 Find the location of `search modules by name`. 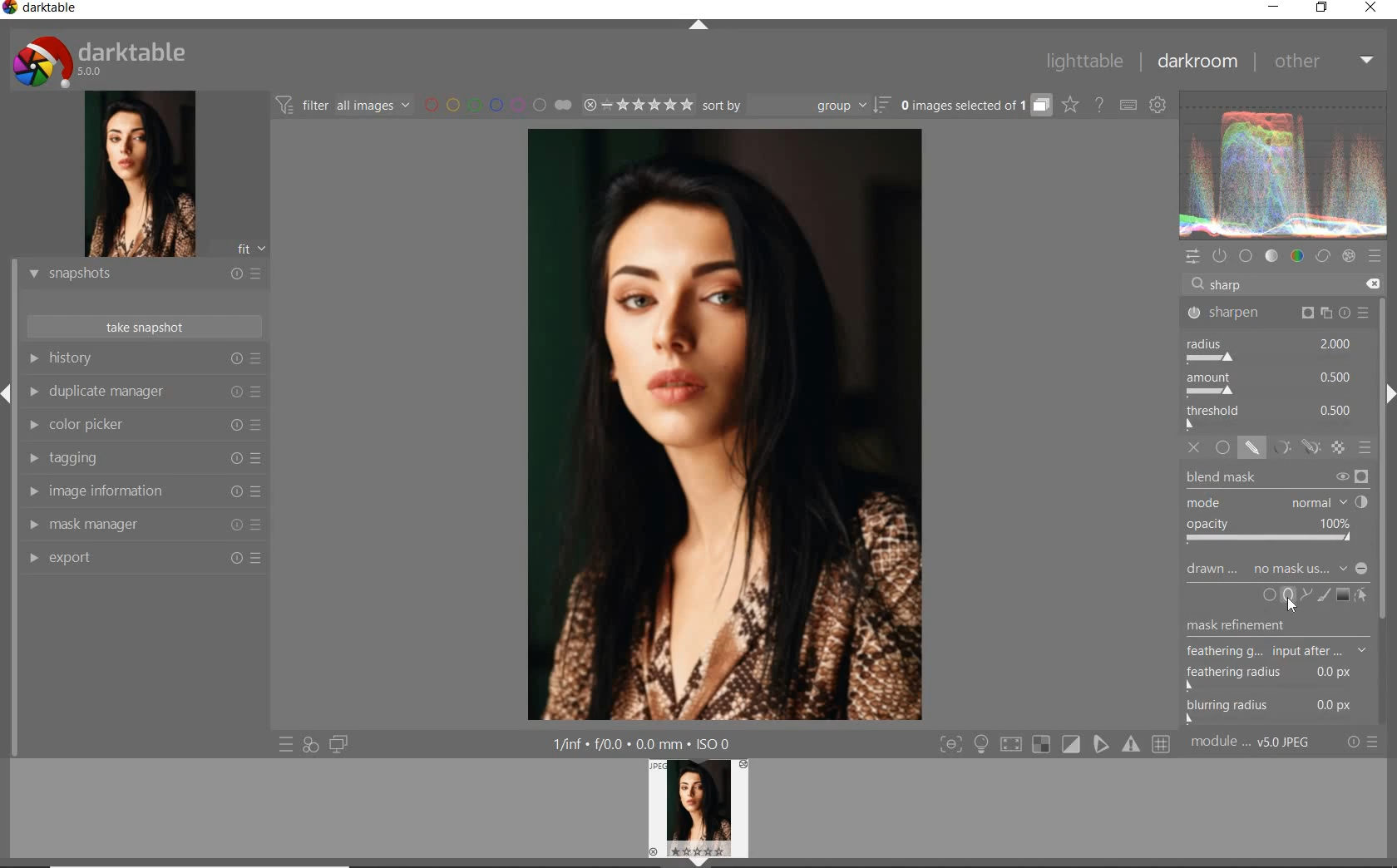

search modules by name is located at coordinates (1279, 284).